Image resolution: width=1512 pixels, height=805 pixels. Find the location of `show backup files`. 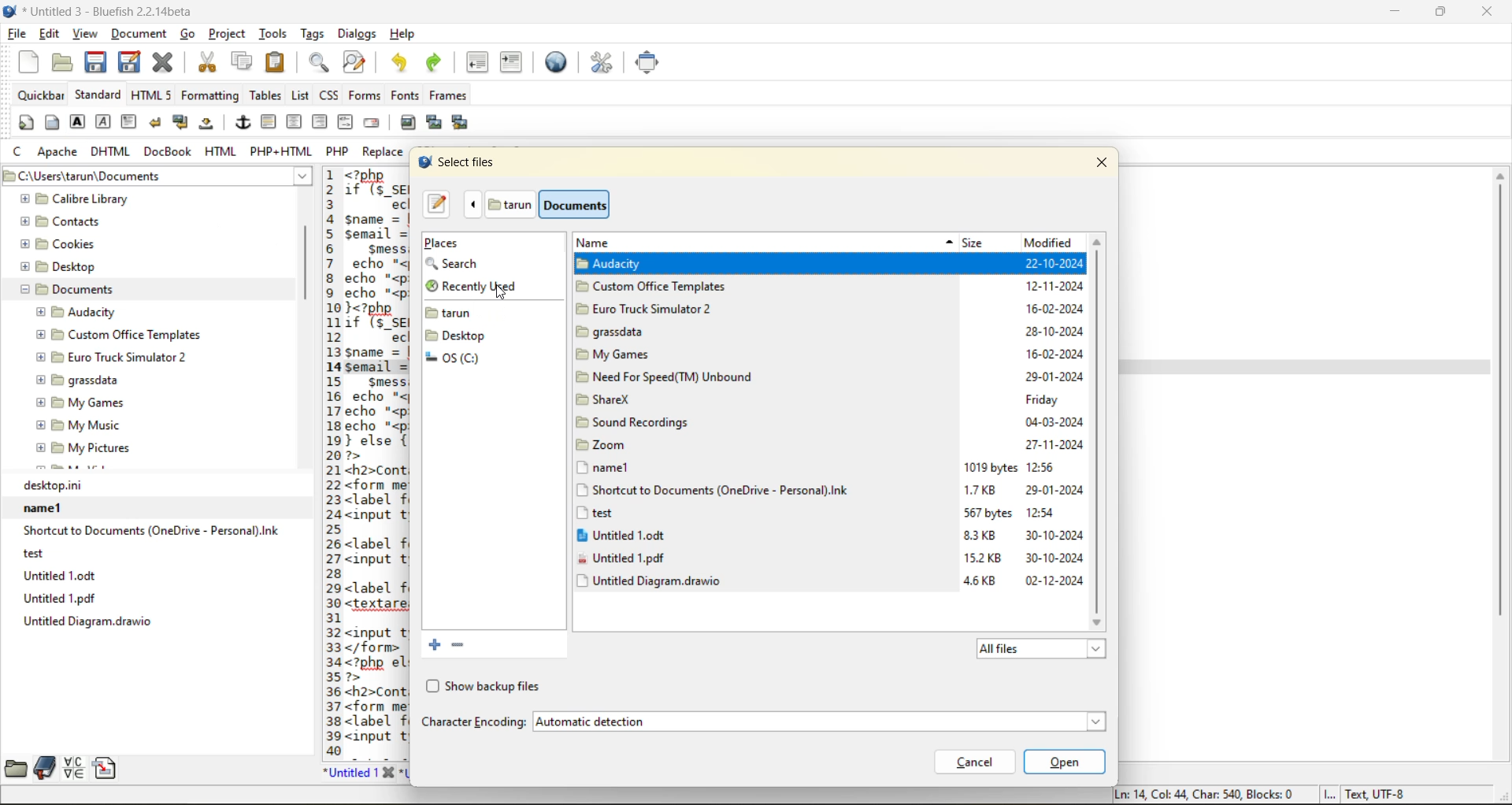

show backup files is located at coordinates (481, 687).